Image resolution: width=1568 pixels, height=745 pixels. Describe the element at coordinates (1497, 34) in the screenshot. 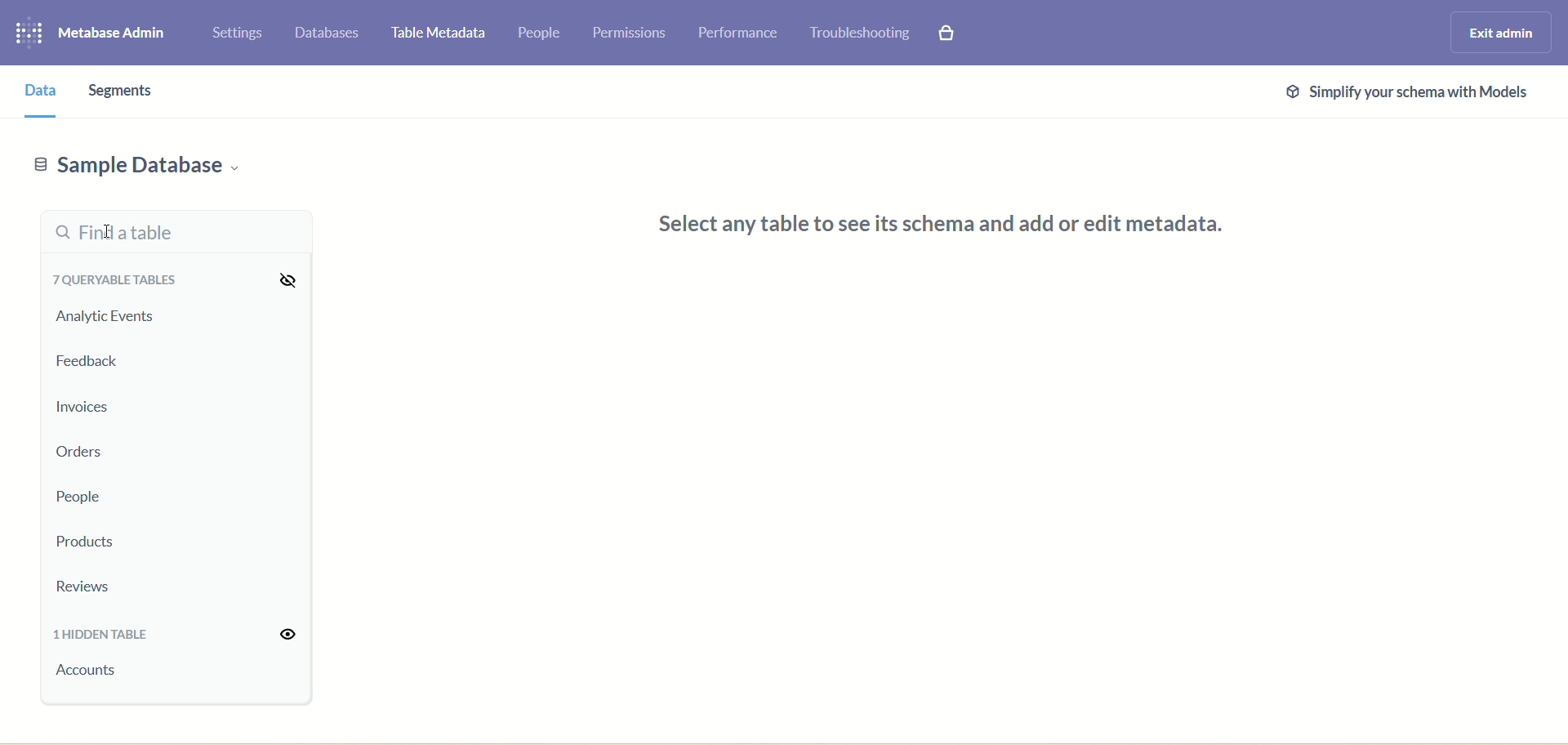

I see `exit admin` at that location.